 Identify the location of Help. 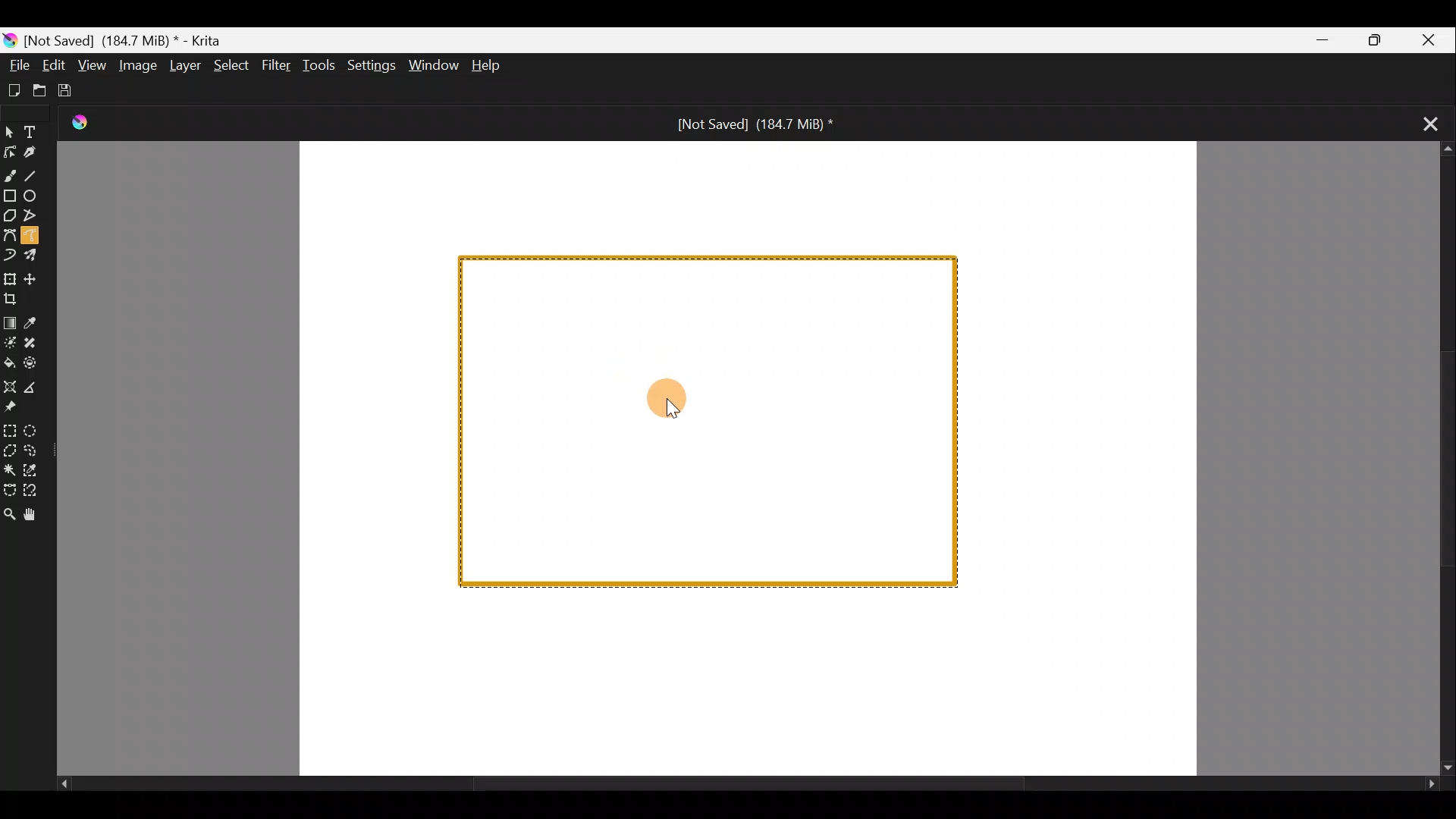
(495, 64).